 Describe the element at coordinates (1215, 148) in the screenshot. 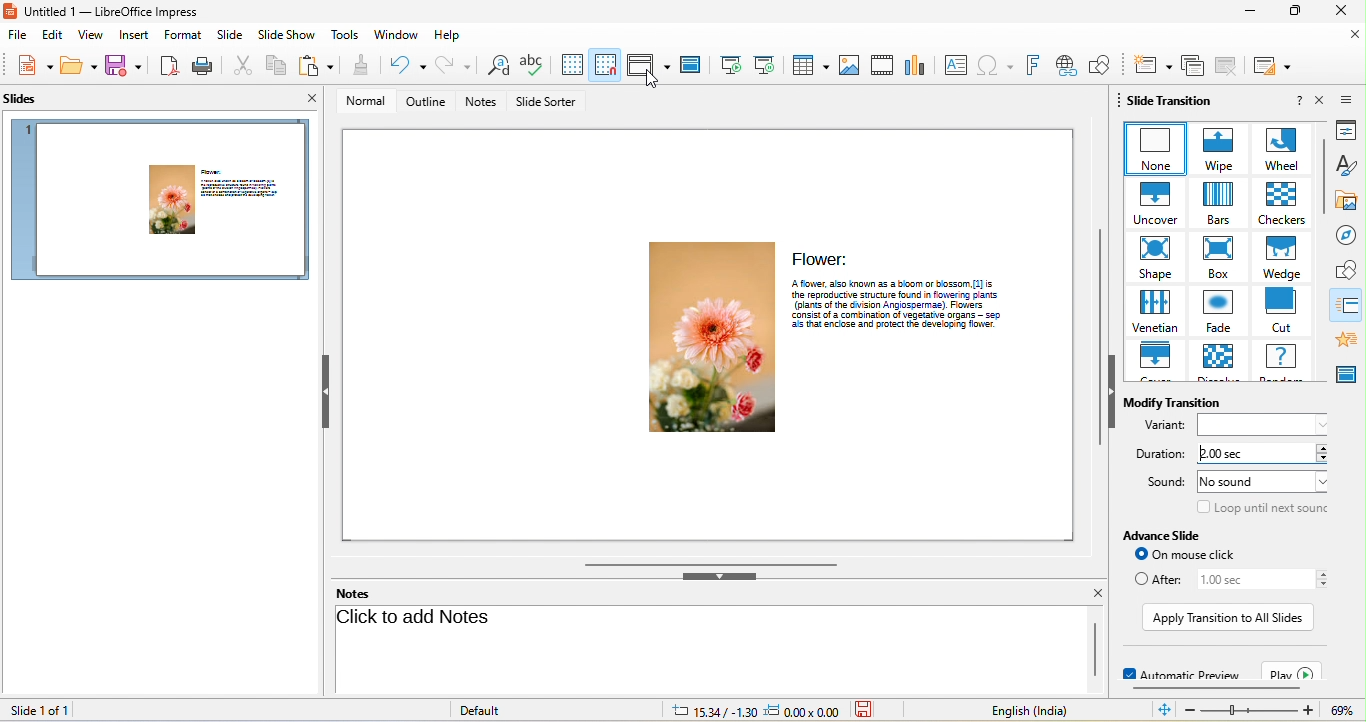

I see `wipe` at that location.